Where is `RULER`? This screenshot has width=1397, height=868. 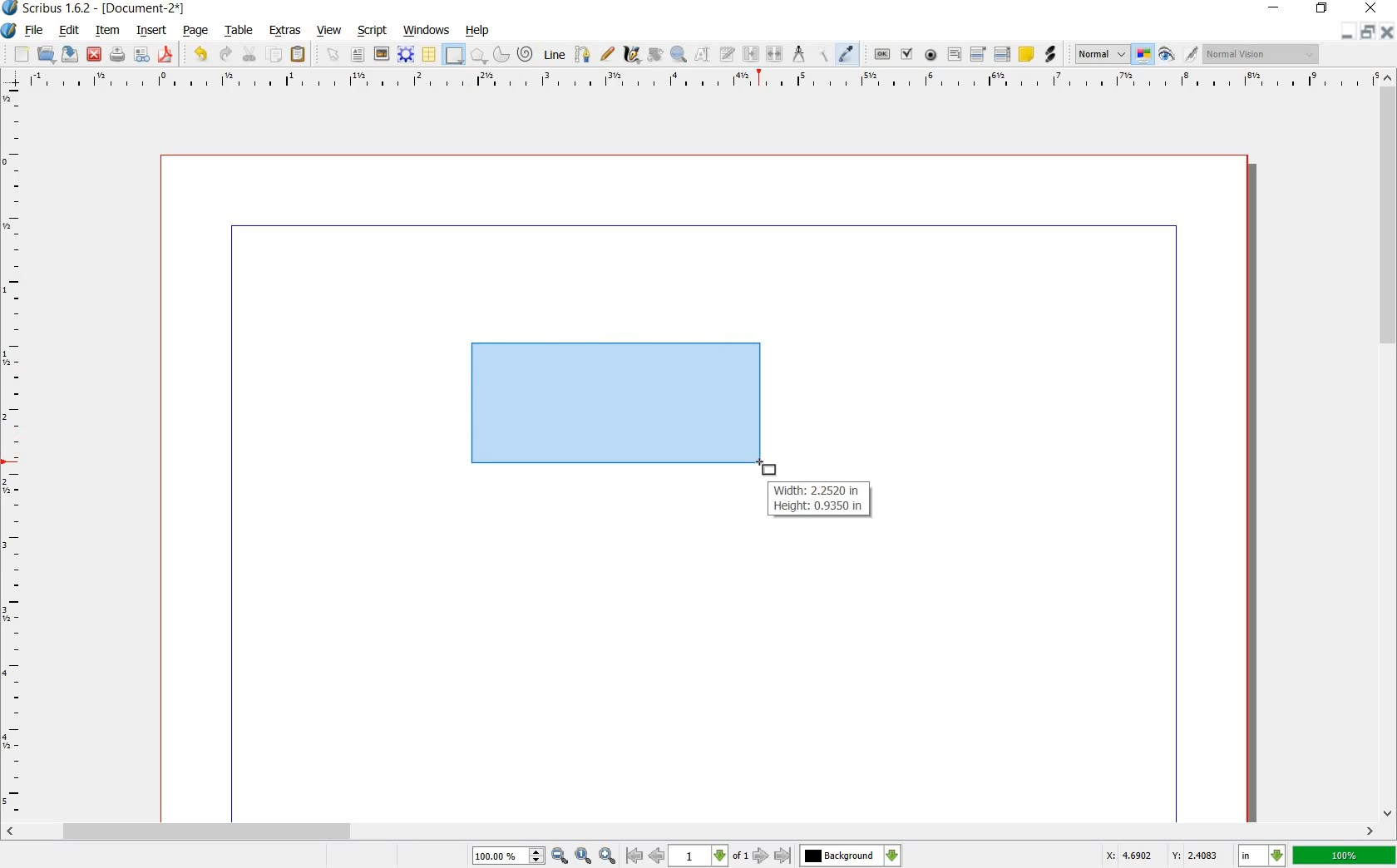
RULER is located at coordinates (14, 452).